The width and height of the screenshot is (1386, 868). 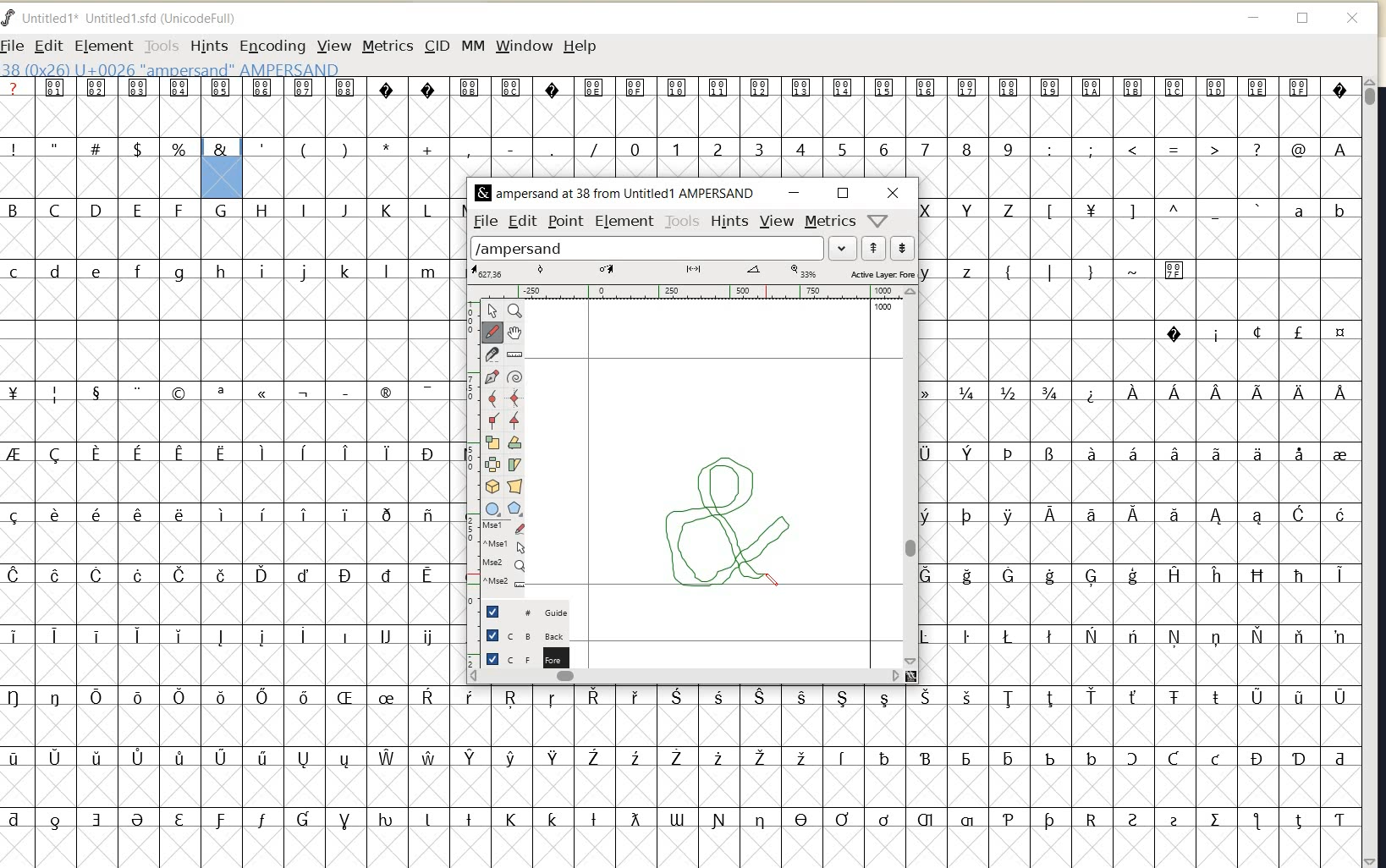 What do you see at coordinates (14, 47) in the screenshot?
I see `FILE` at bounding box center [14, 47].